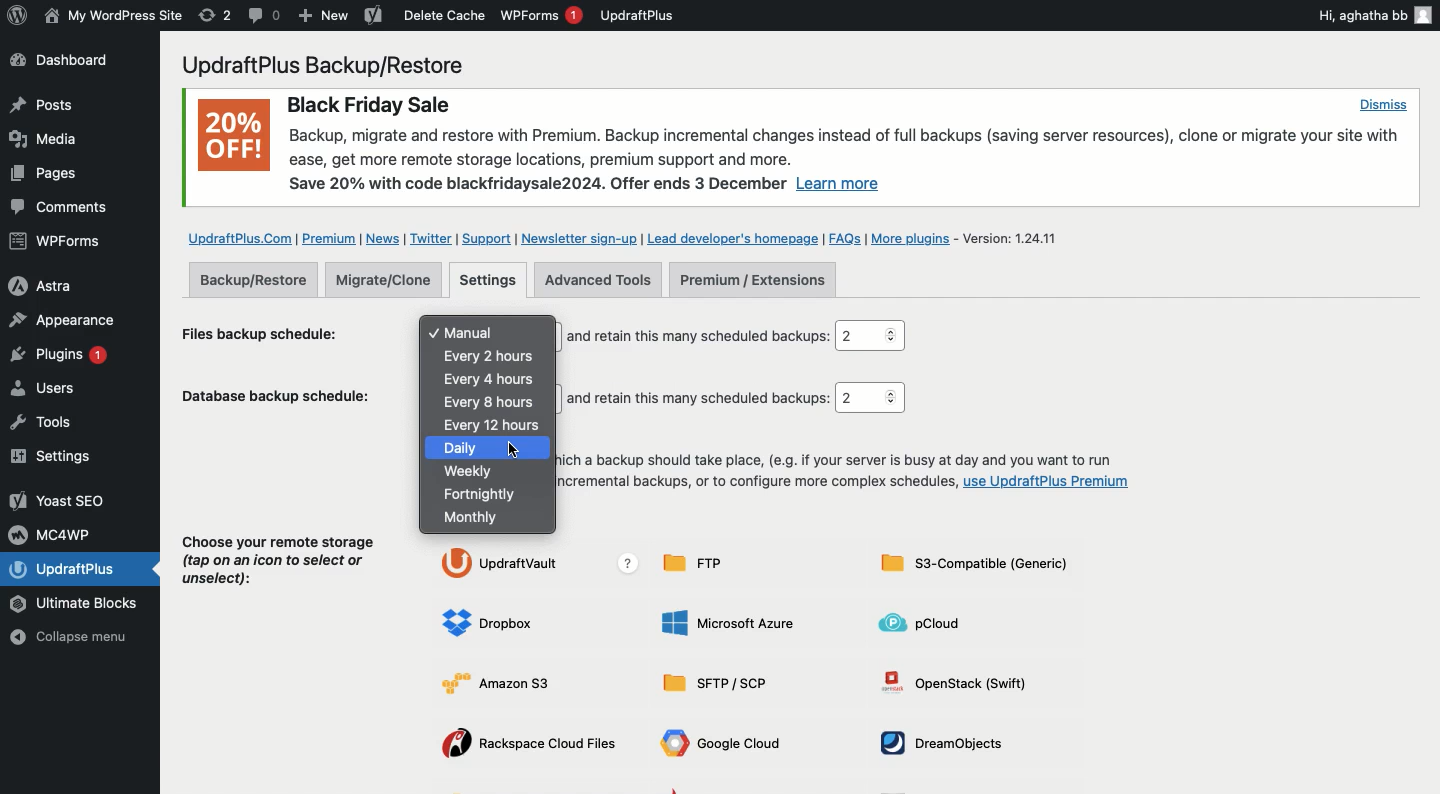 The image size is (1440, 794). What do you see at coordinates (372, 17) in the screenshot?
I see `Yoast` at bounding box center [372, 17].